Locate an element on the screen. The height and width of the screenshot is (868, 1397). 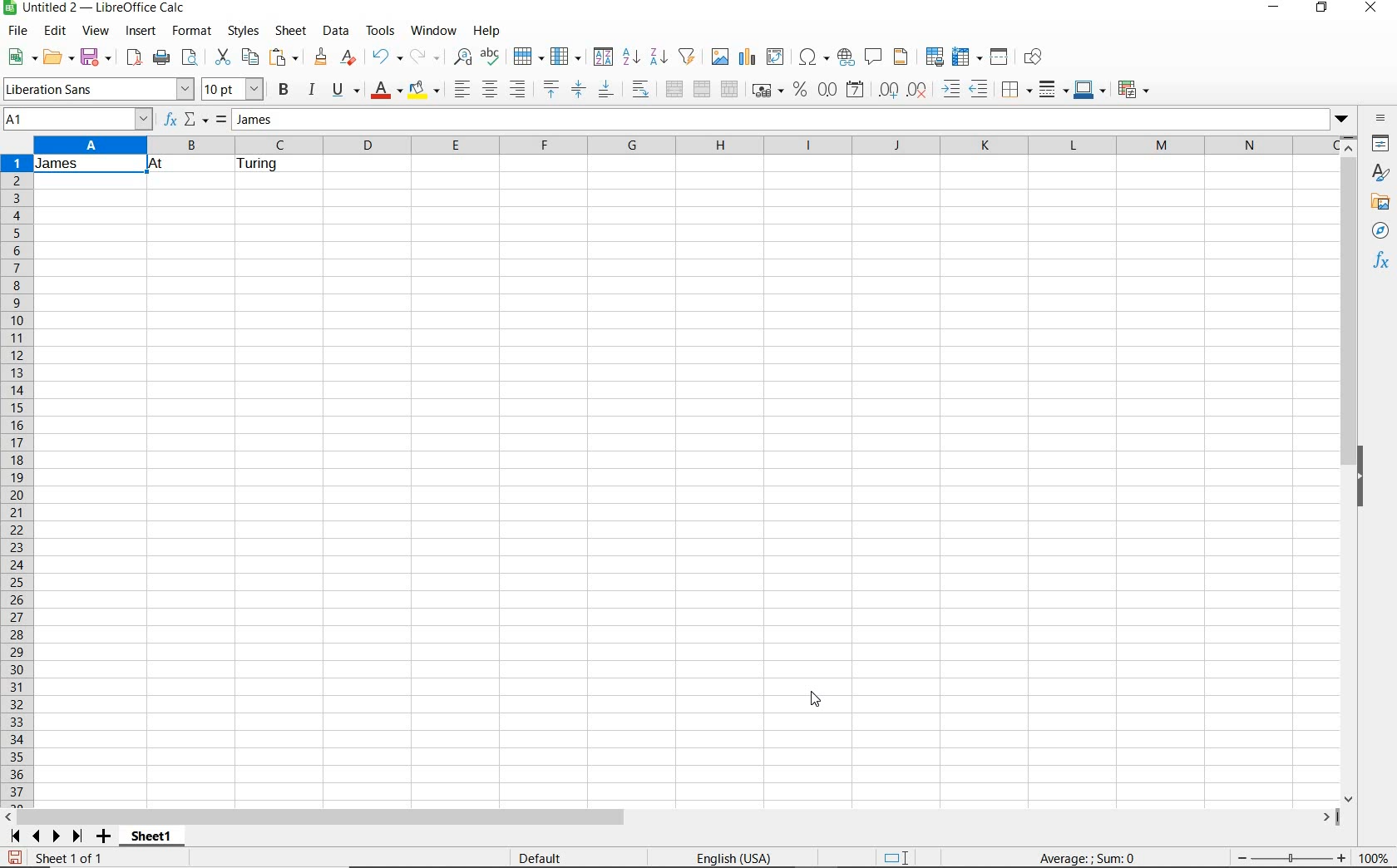
close is located at coordinates (1374, 8).